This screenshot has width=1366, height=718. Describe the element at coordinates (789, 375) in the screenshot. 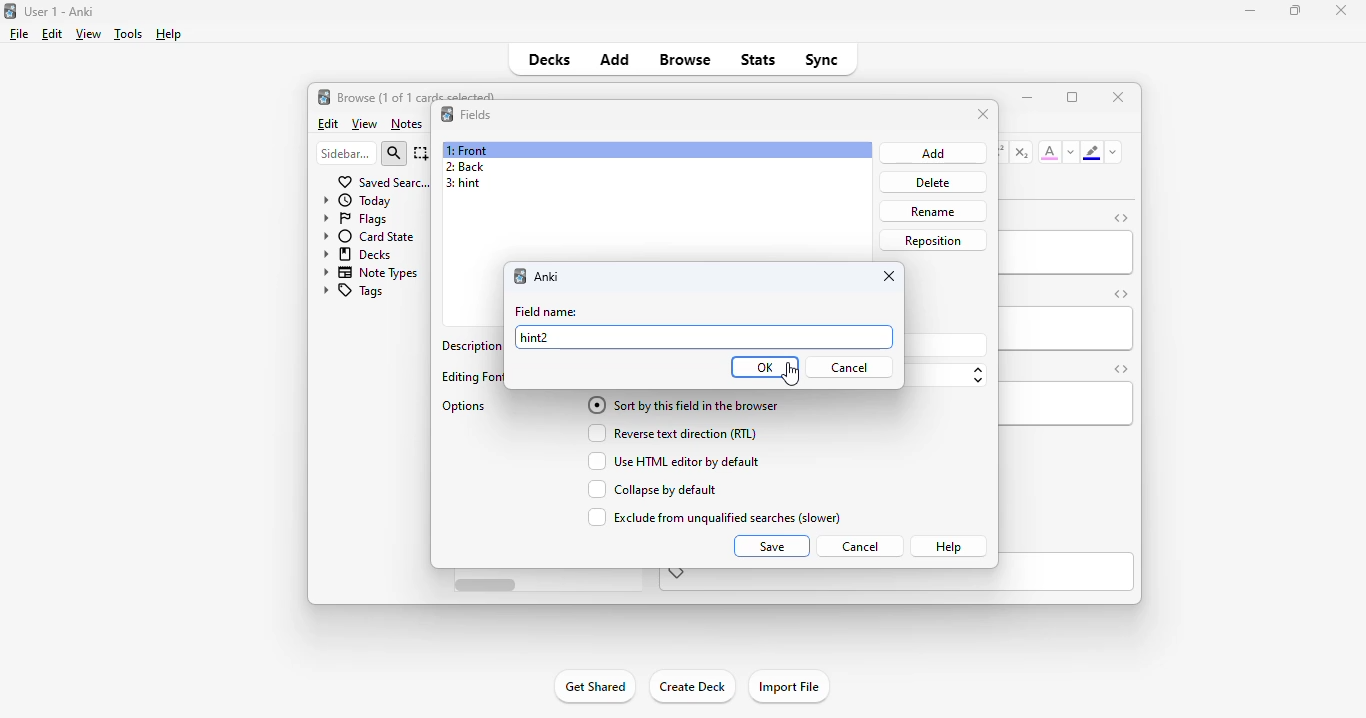

I see `cursor` at that location.